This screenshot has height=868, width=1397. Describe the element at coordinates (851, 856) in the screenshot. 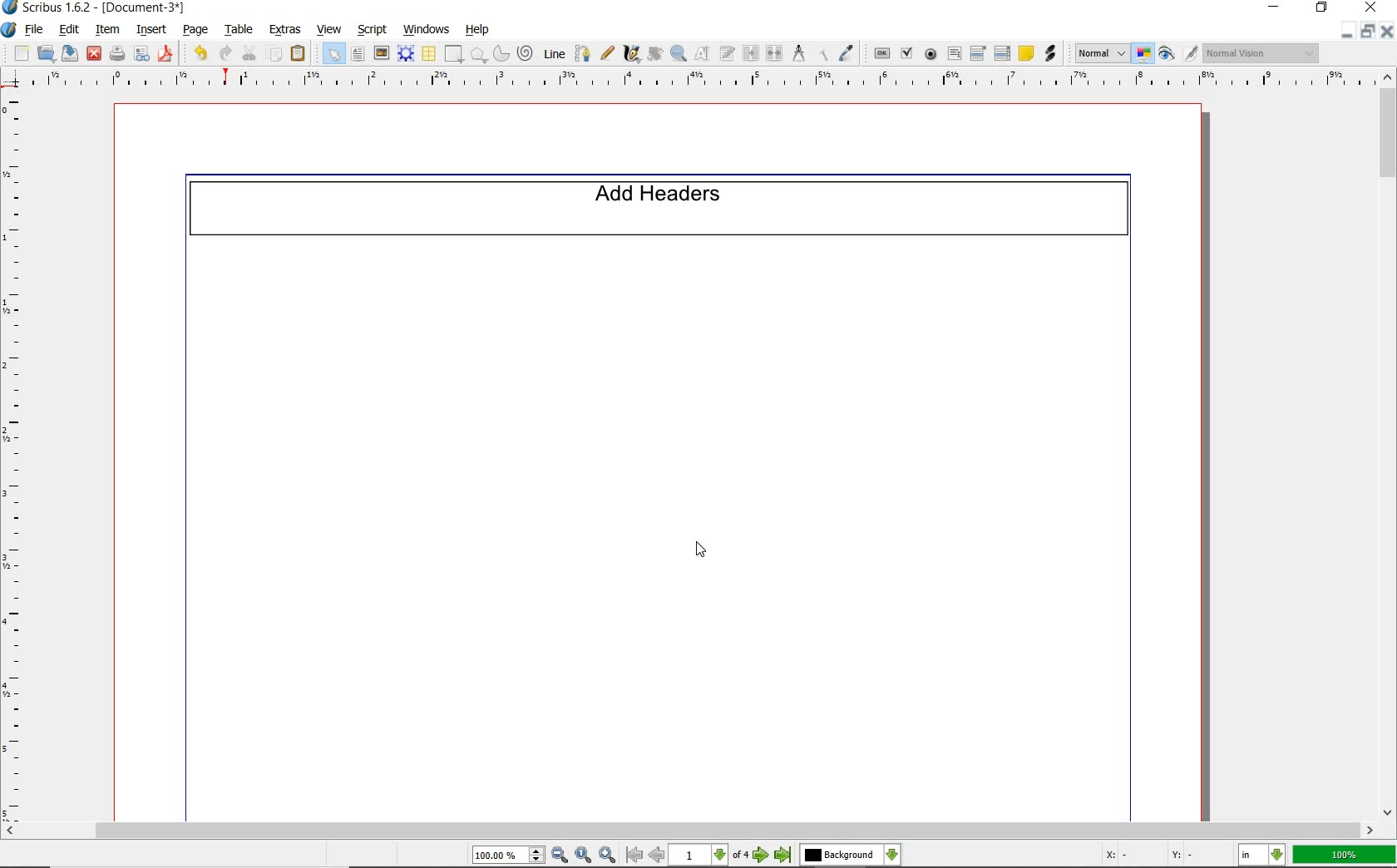

I see `select the current layer` at that location.